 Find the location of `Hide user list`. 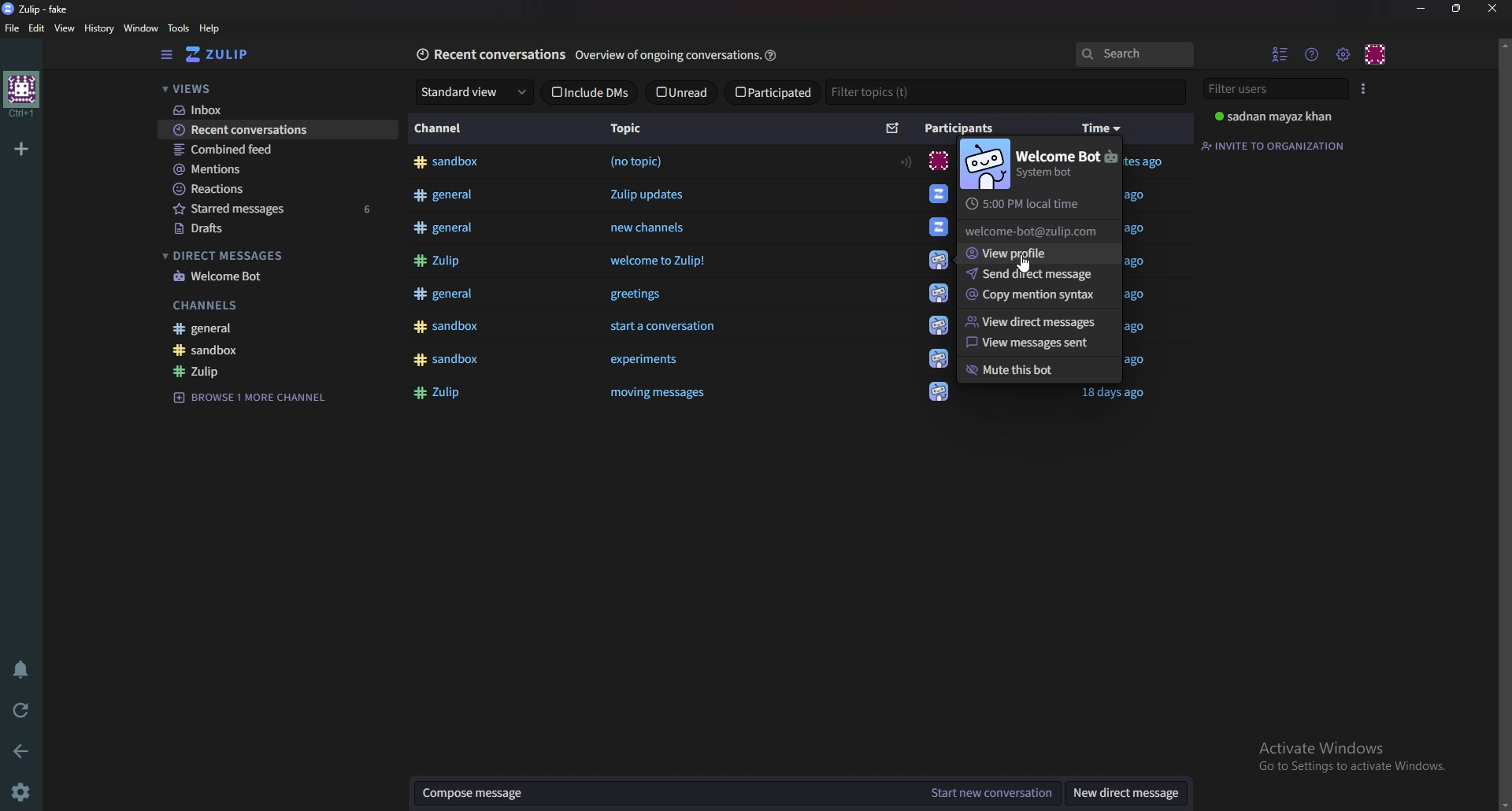

Hide user list is located at coordinates (1280, 54).